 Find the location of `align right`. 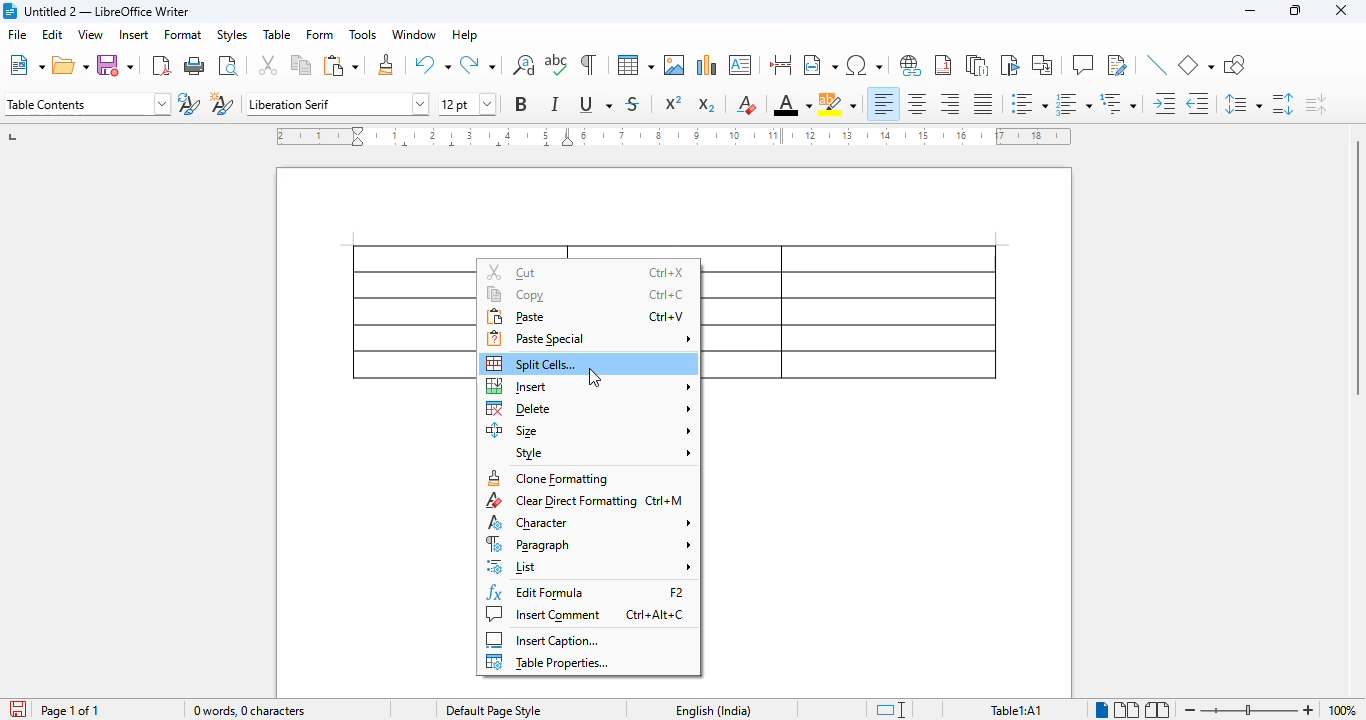

align right is located at coordinates (949, 104).